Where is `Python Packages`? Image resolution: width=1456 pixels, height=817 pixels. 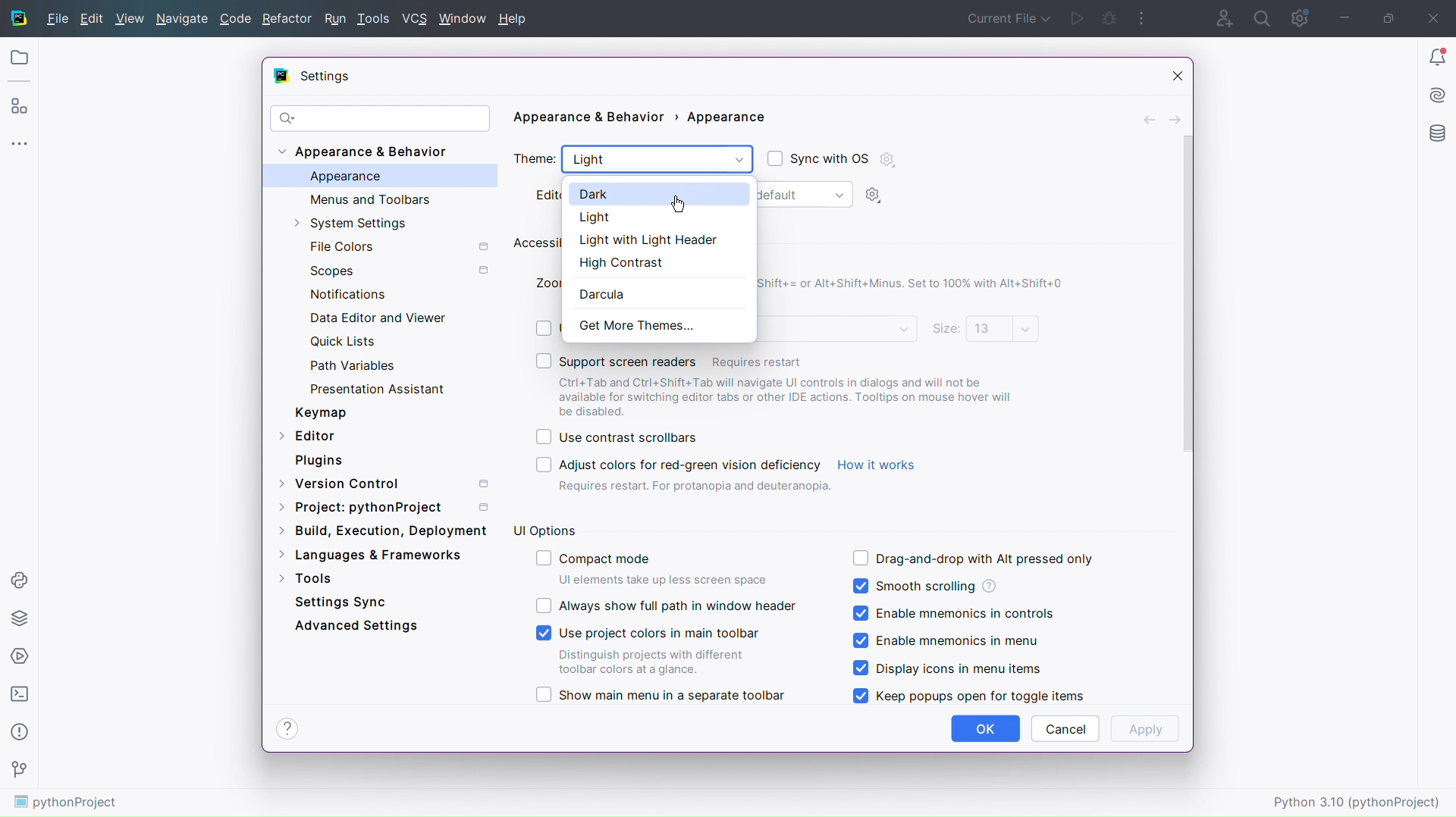 Python Packages is located at coordinates (20, 617).